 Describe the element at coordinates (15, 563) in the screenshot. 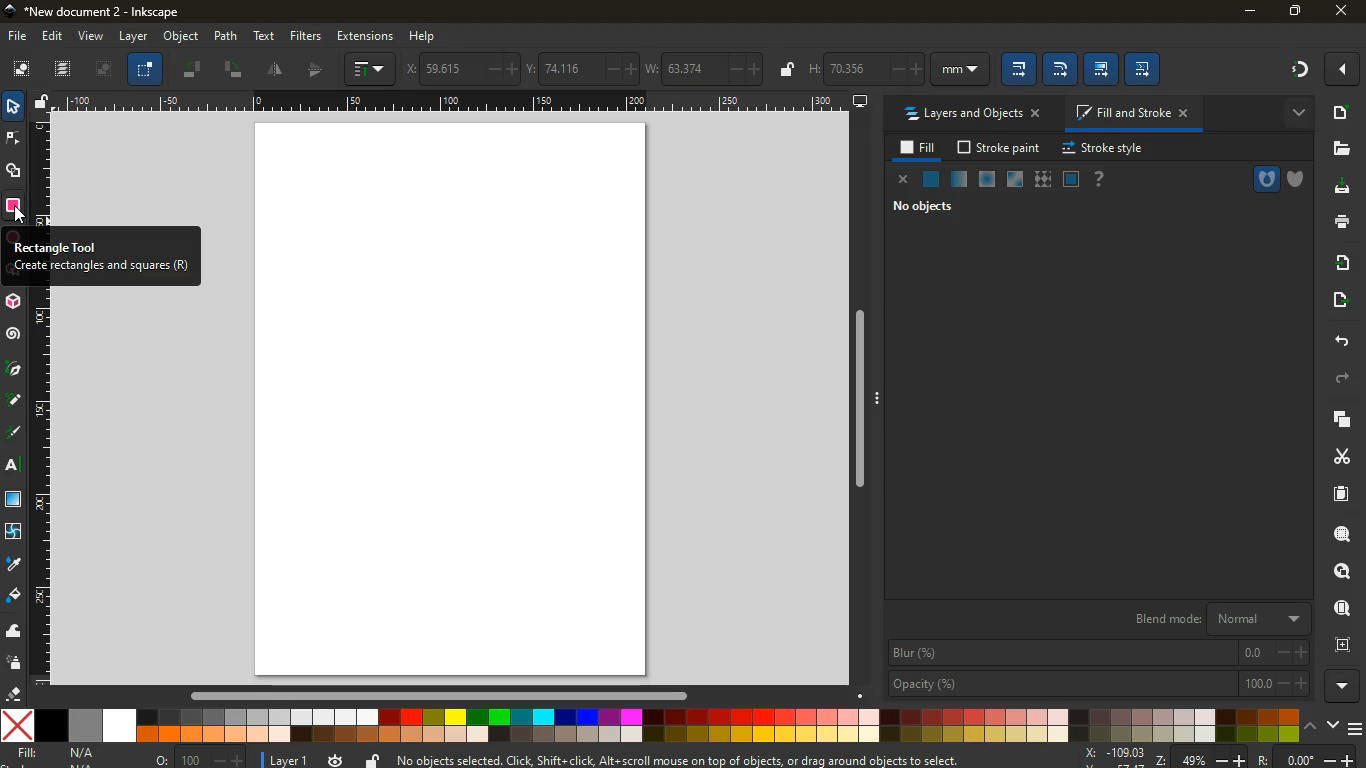

I see `drop` at that location.